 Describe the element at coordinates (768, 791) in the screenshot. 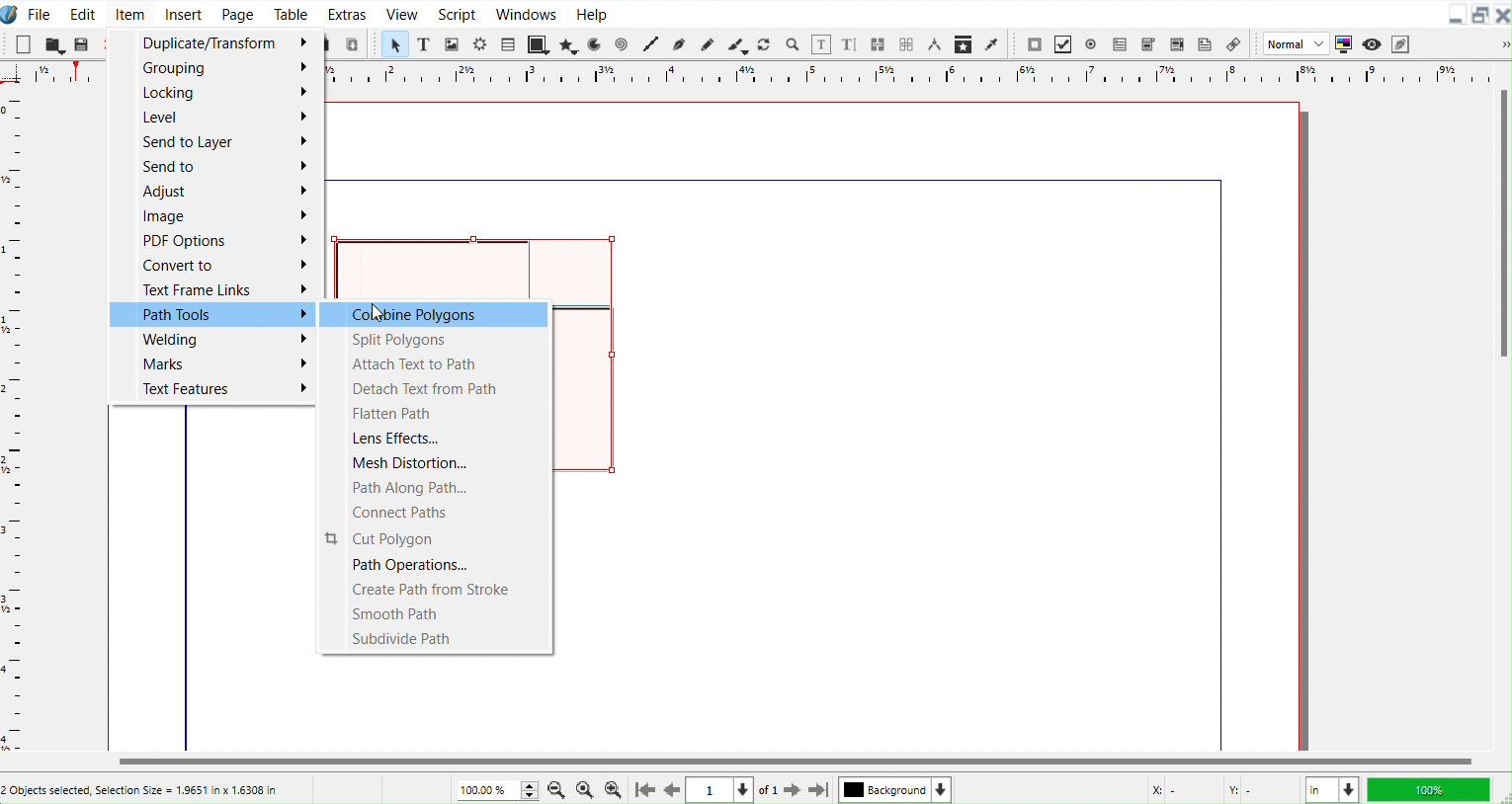

I see `of 1` at that location.